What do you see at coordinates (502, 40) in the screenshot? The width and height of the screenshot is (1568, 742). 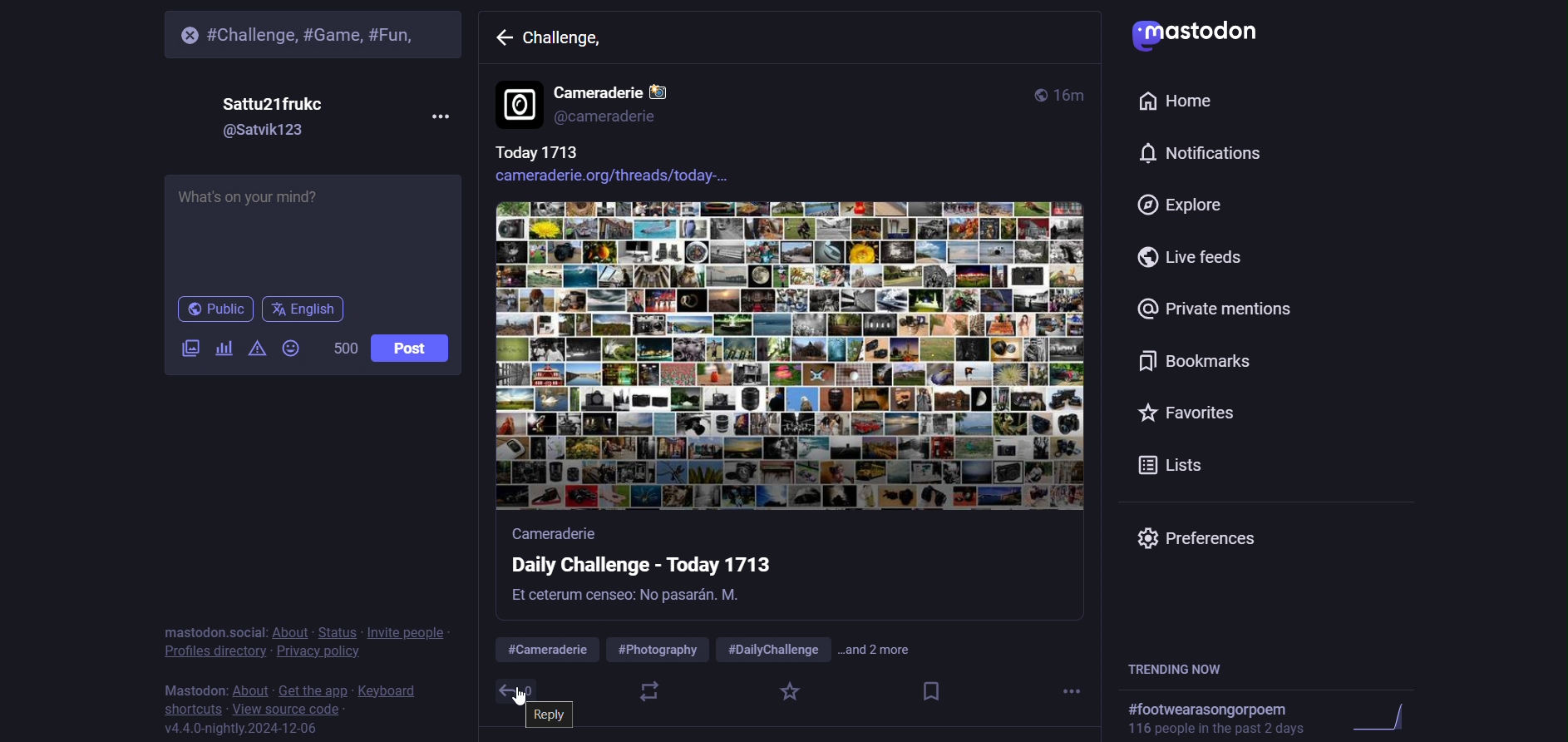 I see `back` at bounding box center [502, 40].